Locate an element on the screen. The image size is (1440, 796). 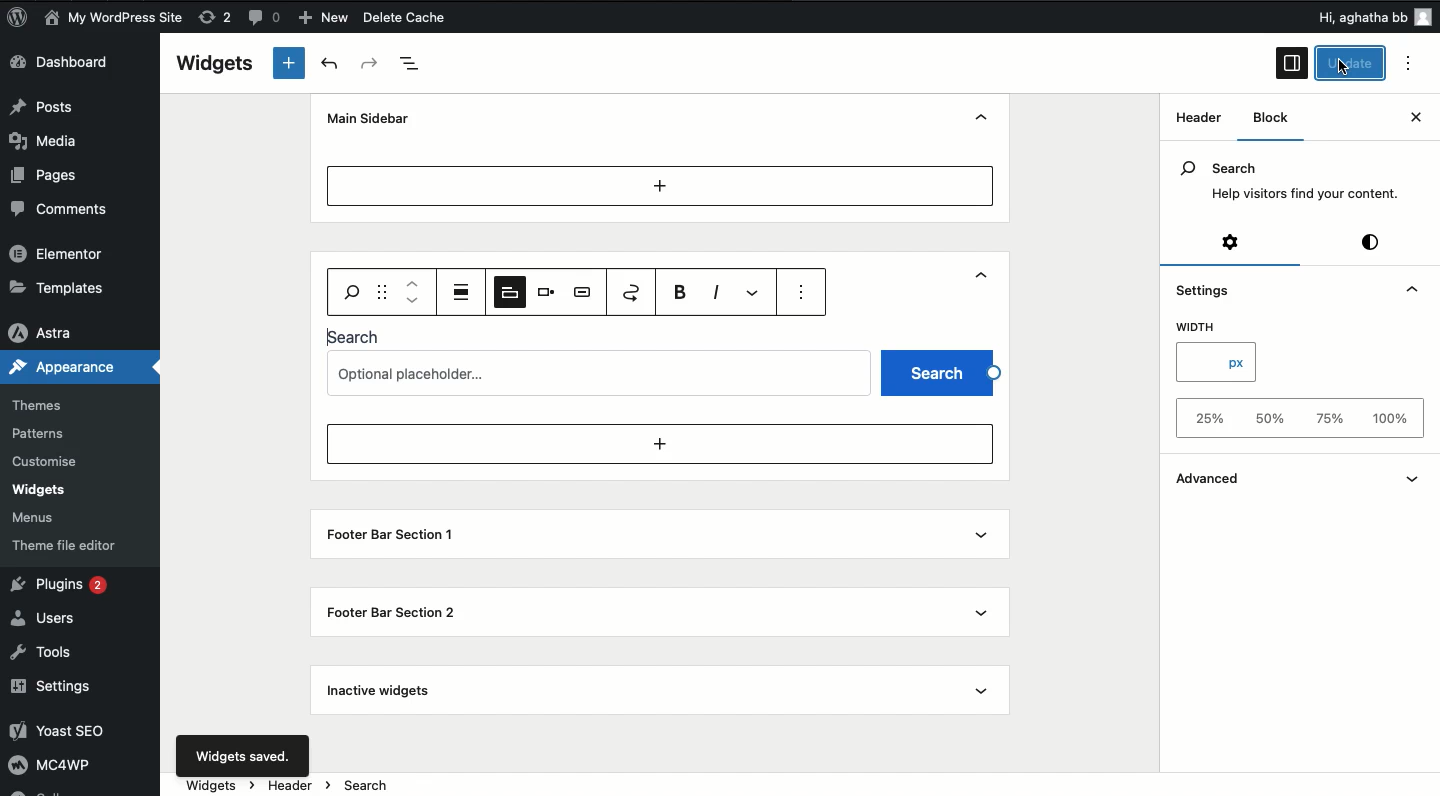
New is located at coordinates (326, 18).